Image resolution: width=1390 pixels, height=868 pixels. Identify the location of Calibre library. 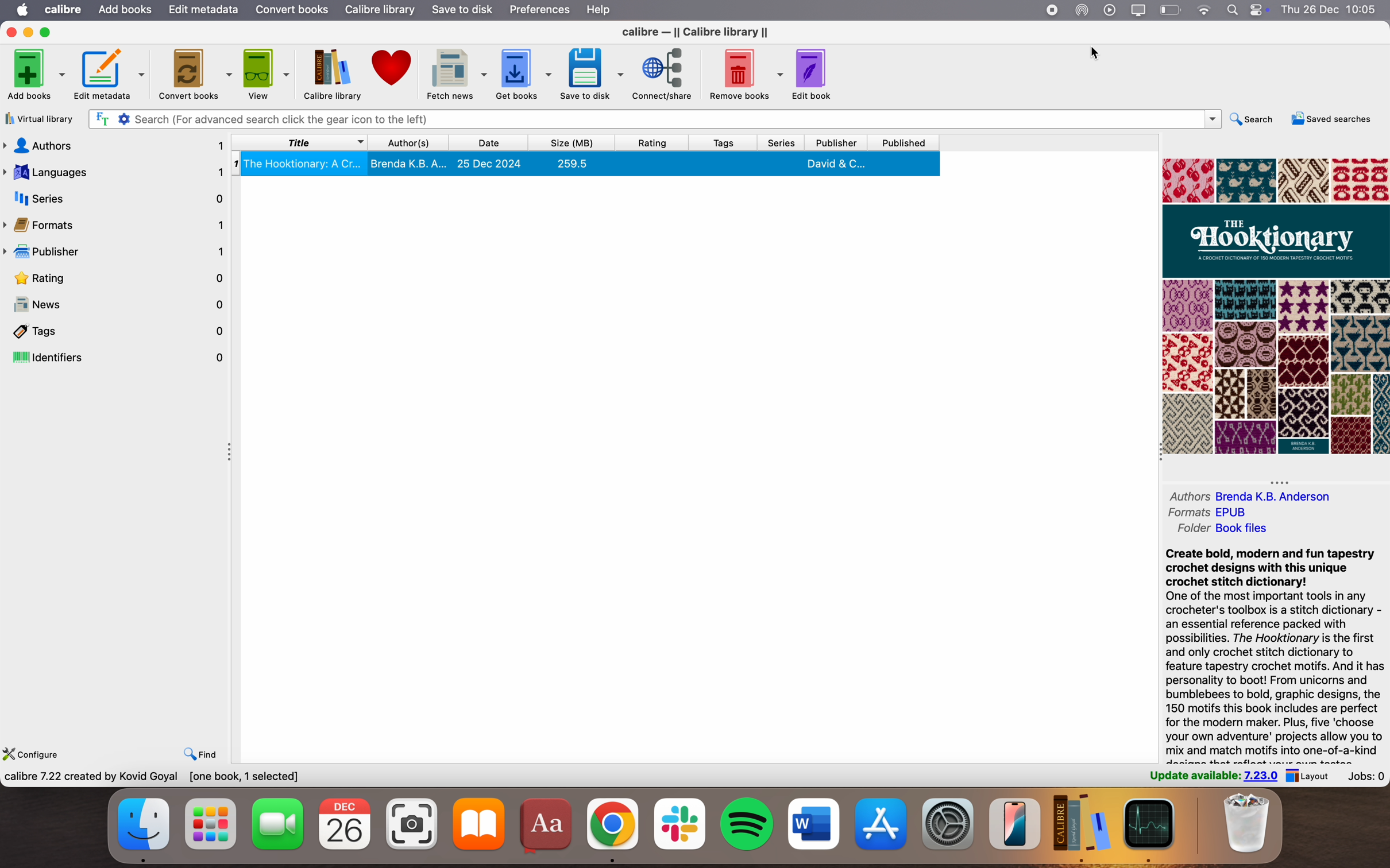
(380, 10).